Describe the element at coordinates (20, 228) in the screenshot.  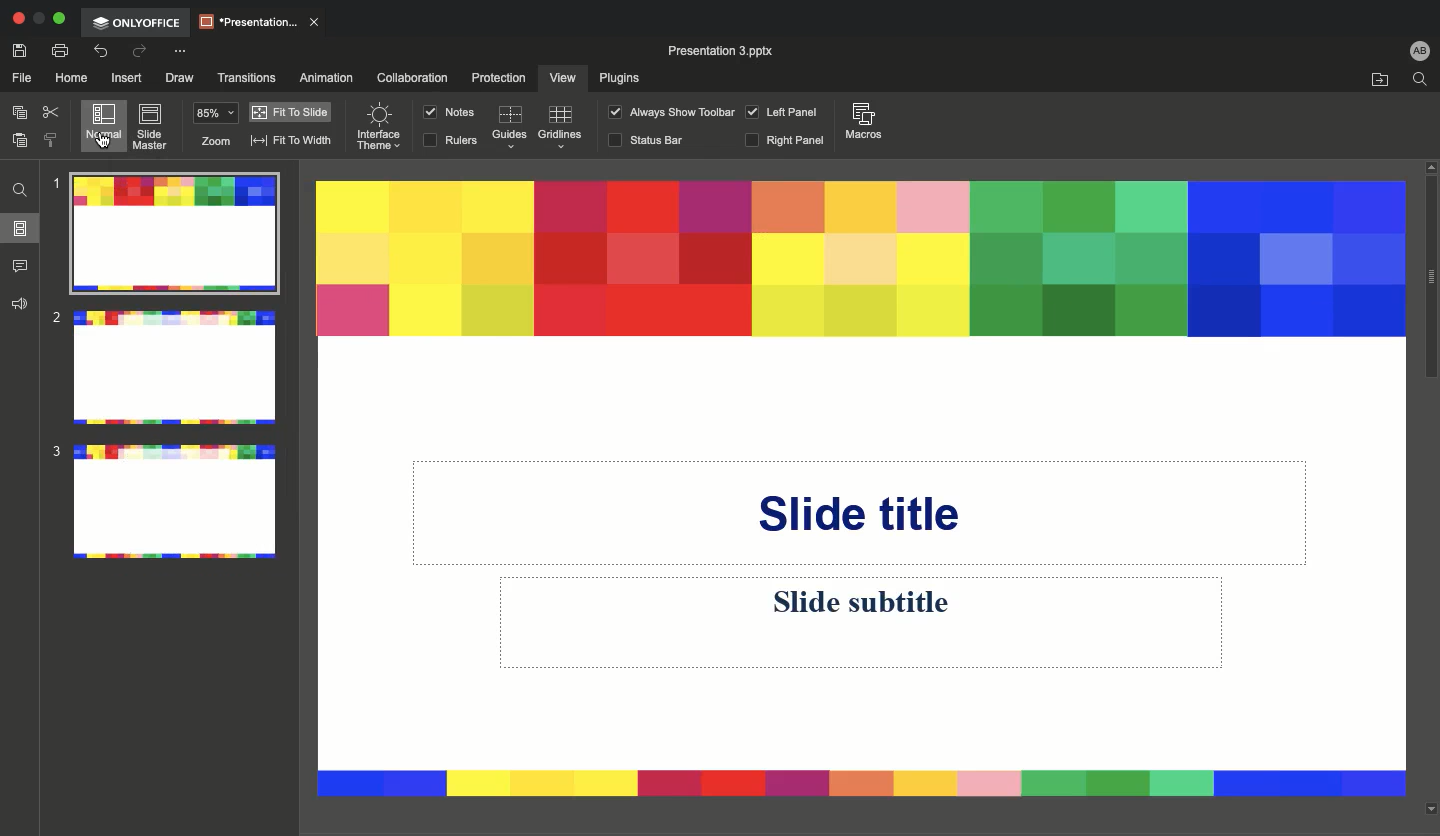
I see `Slides` at that location.